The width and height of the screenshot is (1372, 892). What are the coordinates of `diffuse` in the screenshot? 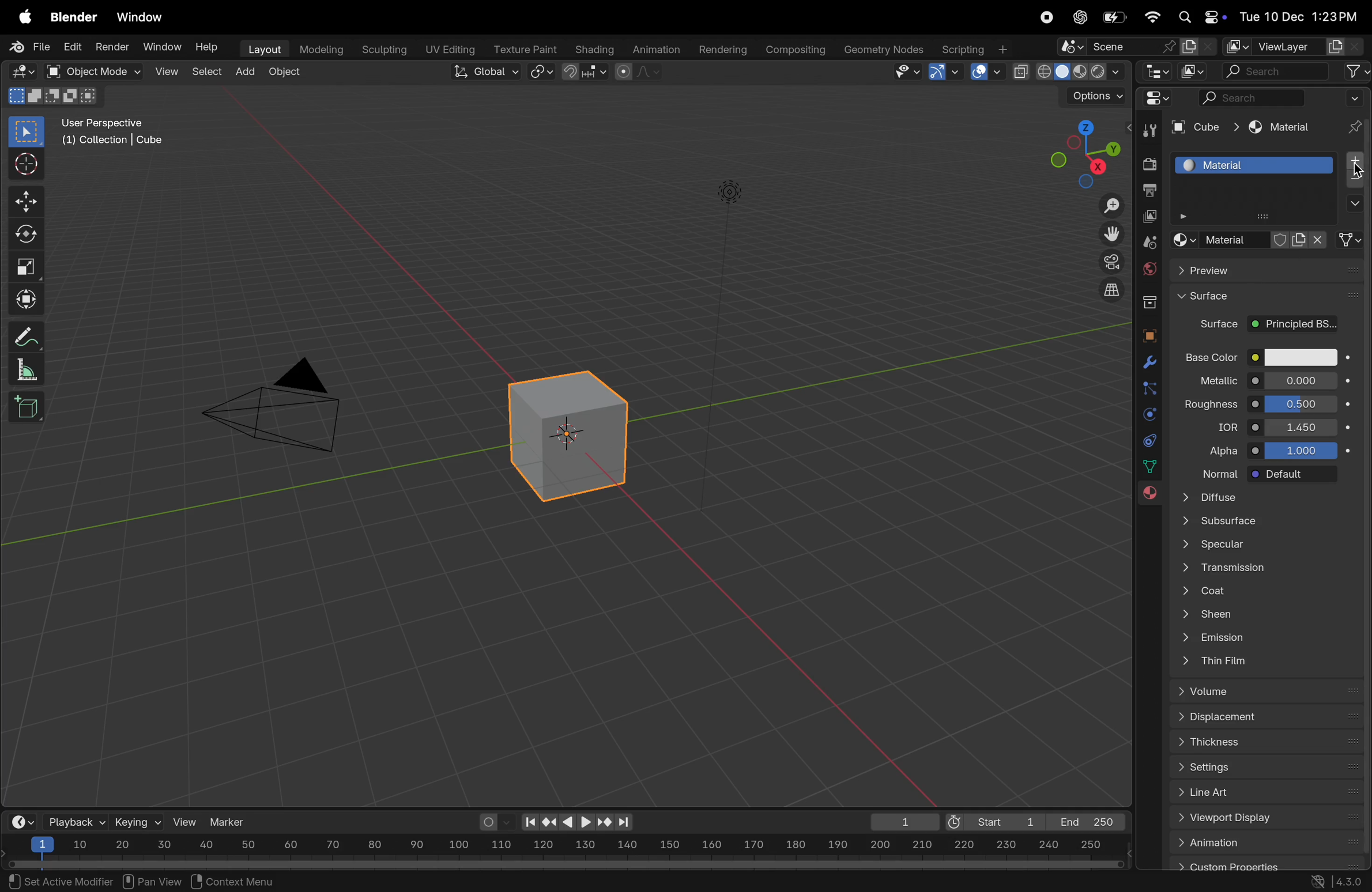 It's located at (1269, 500).